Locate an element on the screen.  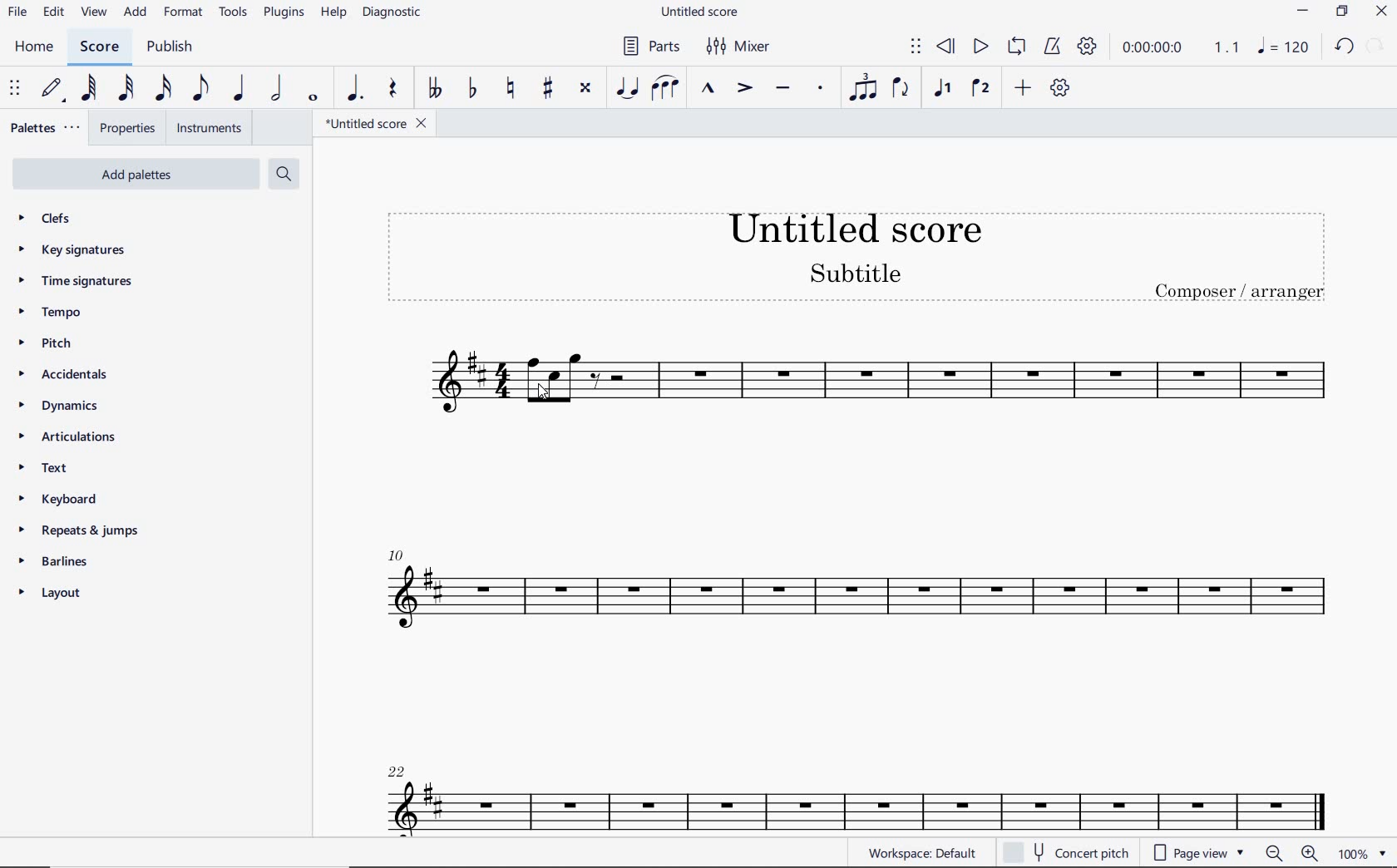
DEFAULT (STEP TIME) is located at coordinates (52, 89).